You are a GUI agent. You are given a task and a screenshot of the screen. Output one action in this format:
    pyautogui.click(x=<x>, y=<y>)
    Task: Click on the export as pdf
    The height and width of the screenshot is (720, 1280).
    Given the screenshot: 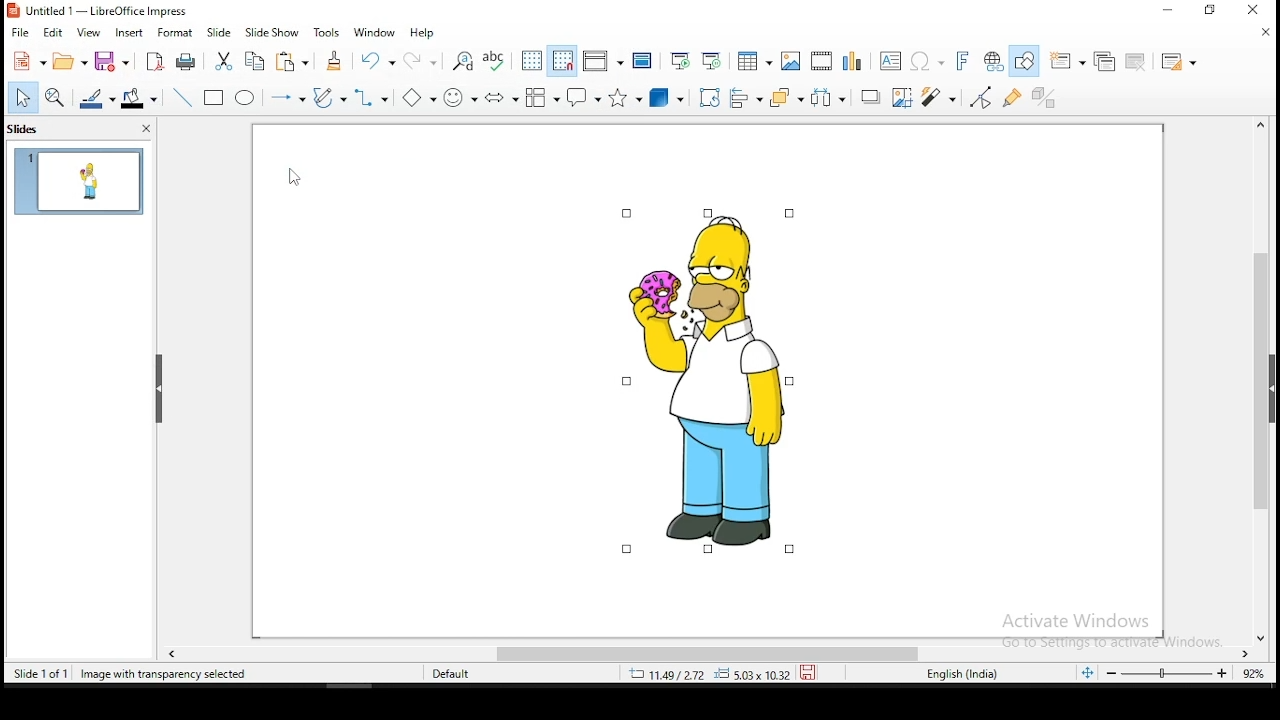 What is the action you would take?
    pyautogui.click(x=156, y=61)
    